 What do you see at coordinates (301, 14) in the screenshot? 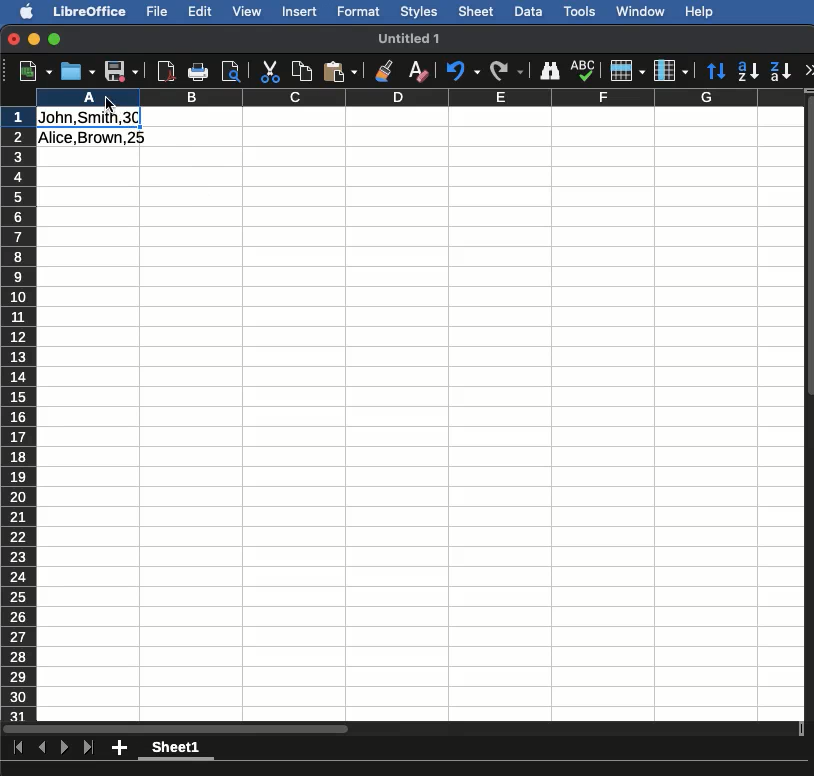
I see `Insert` at bounding box center [301, 14].